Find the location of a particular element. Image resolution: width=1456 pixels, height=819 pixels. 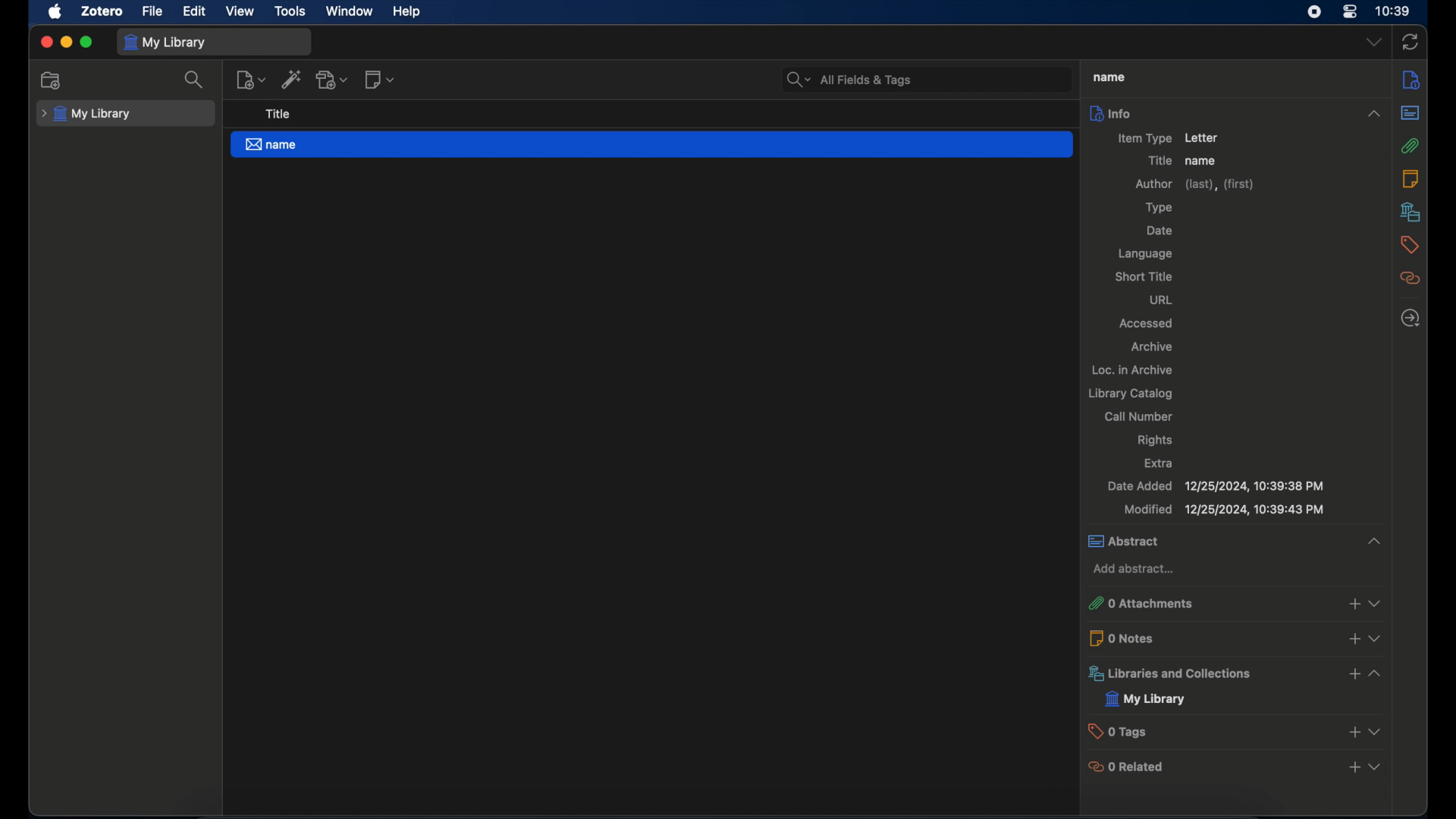

tools is located at coordinates (290, 11).